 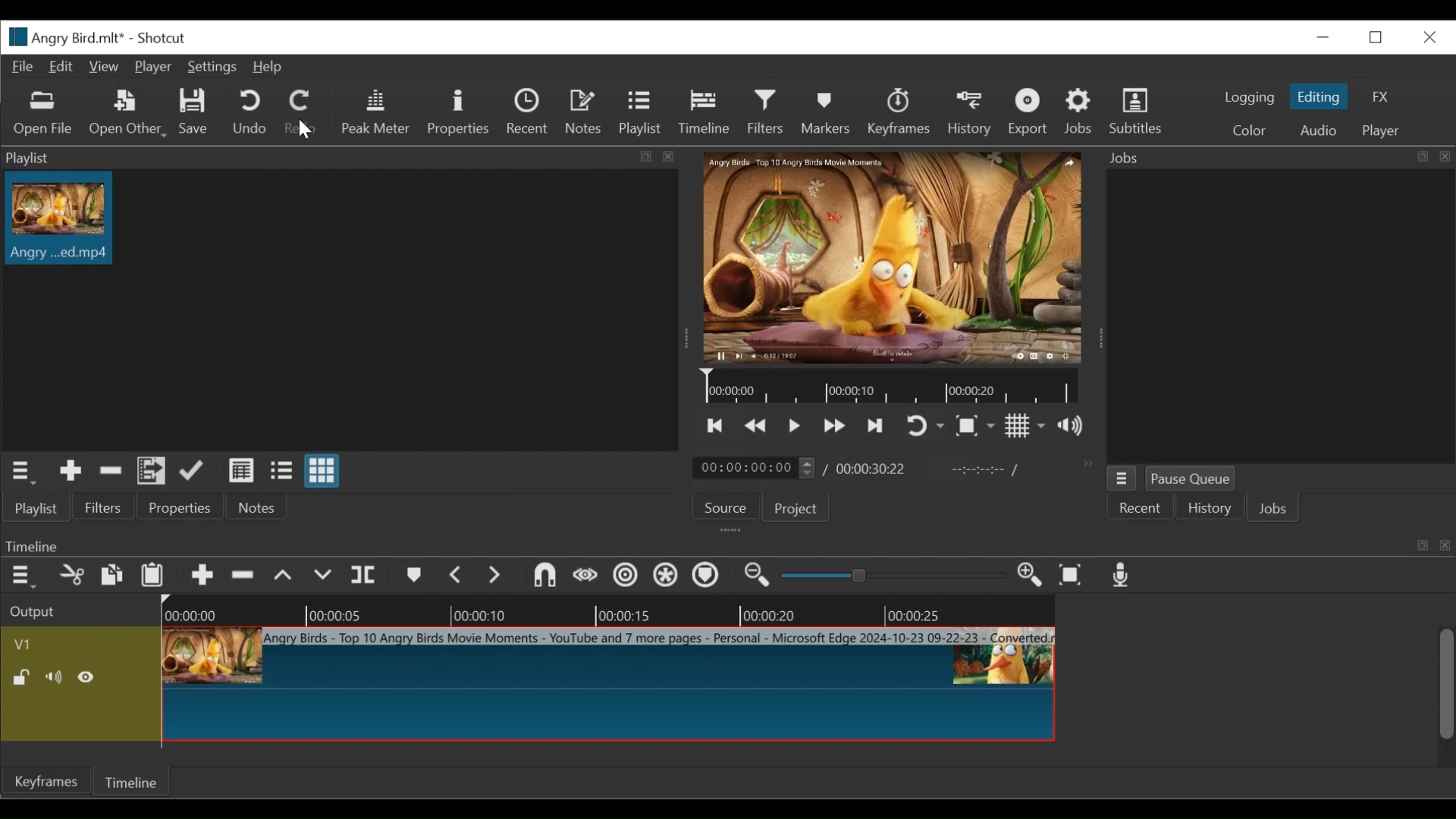 I want to click on vertical scroll bar, so click(x=1437, y=696).